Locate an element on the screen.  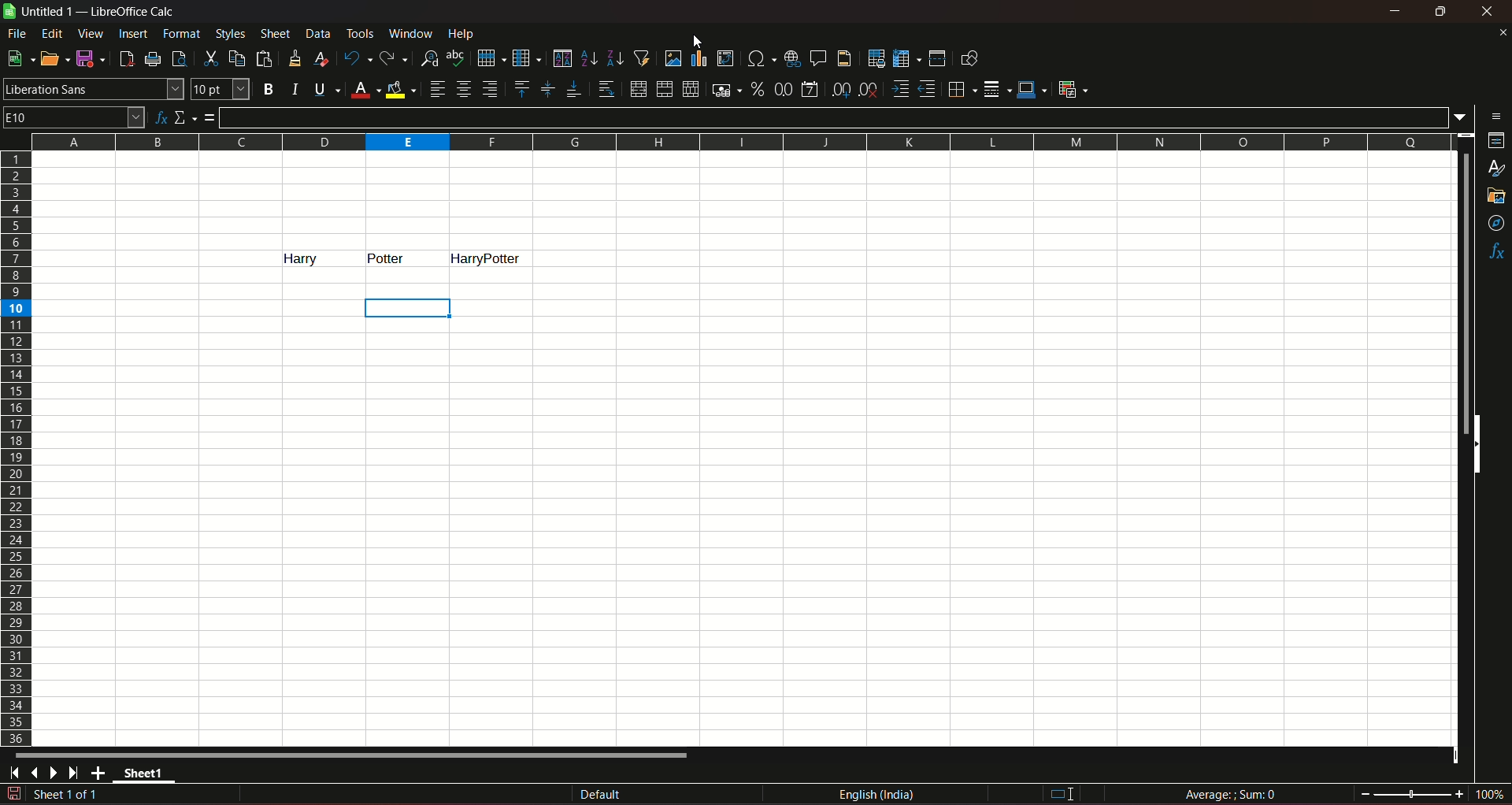
format as number is located at coordinates (783, 88).